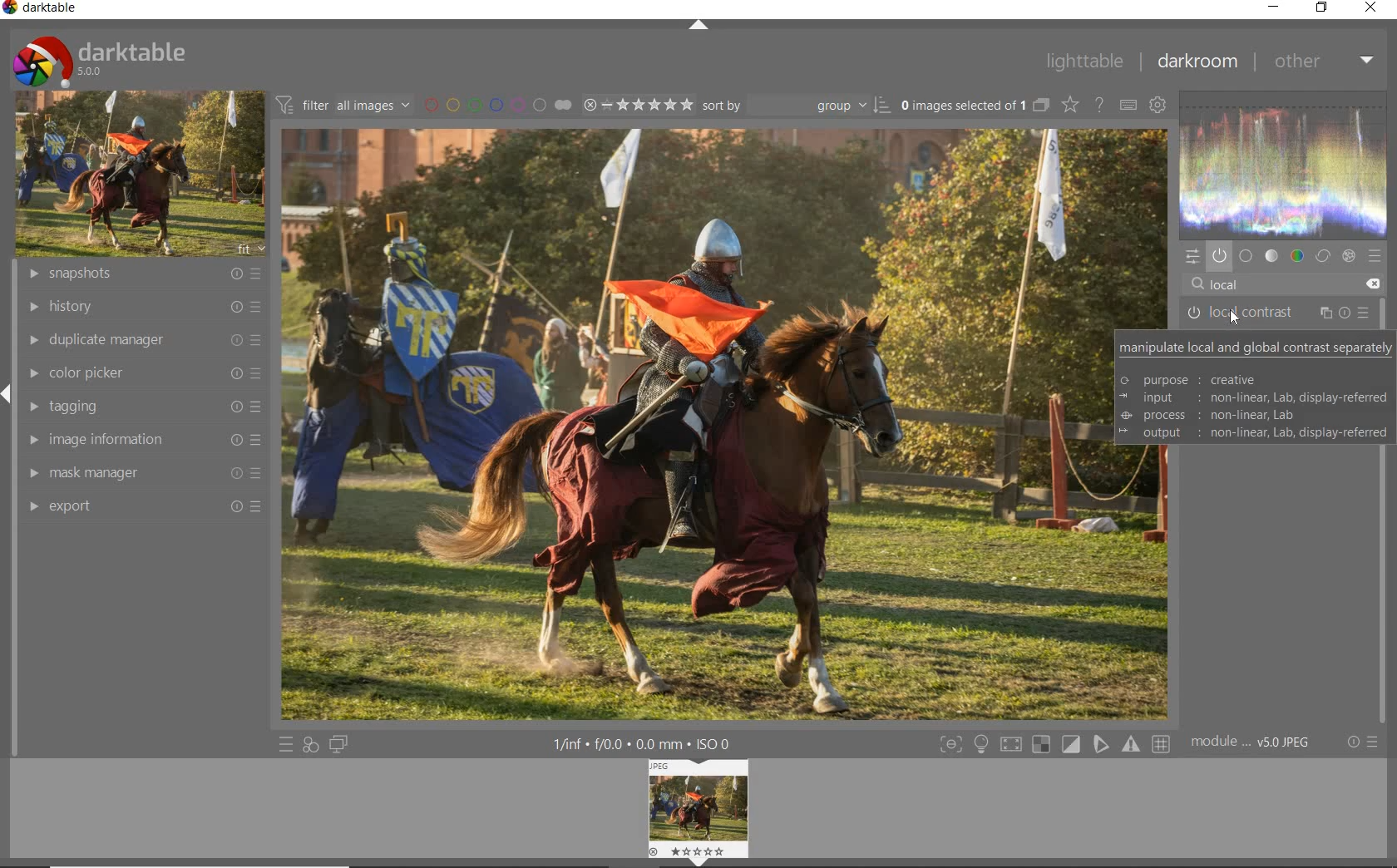 This screenshot has width=1397, height=868. I want to click on Sort, so click(796, 104).